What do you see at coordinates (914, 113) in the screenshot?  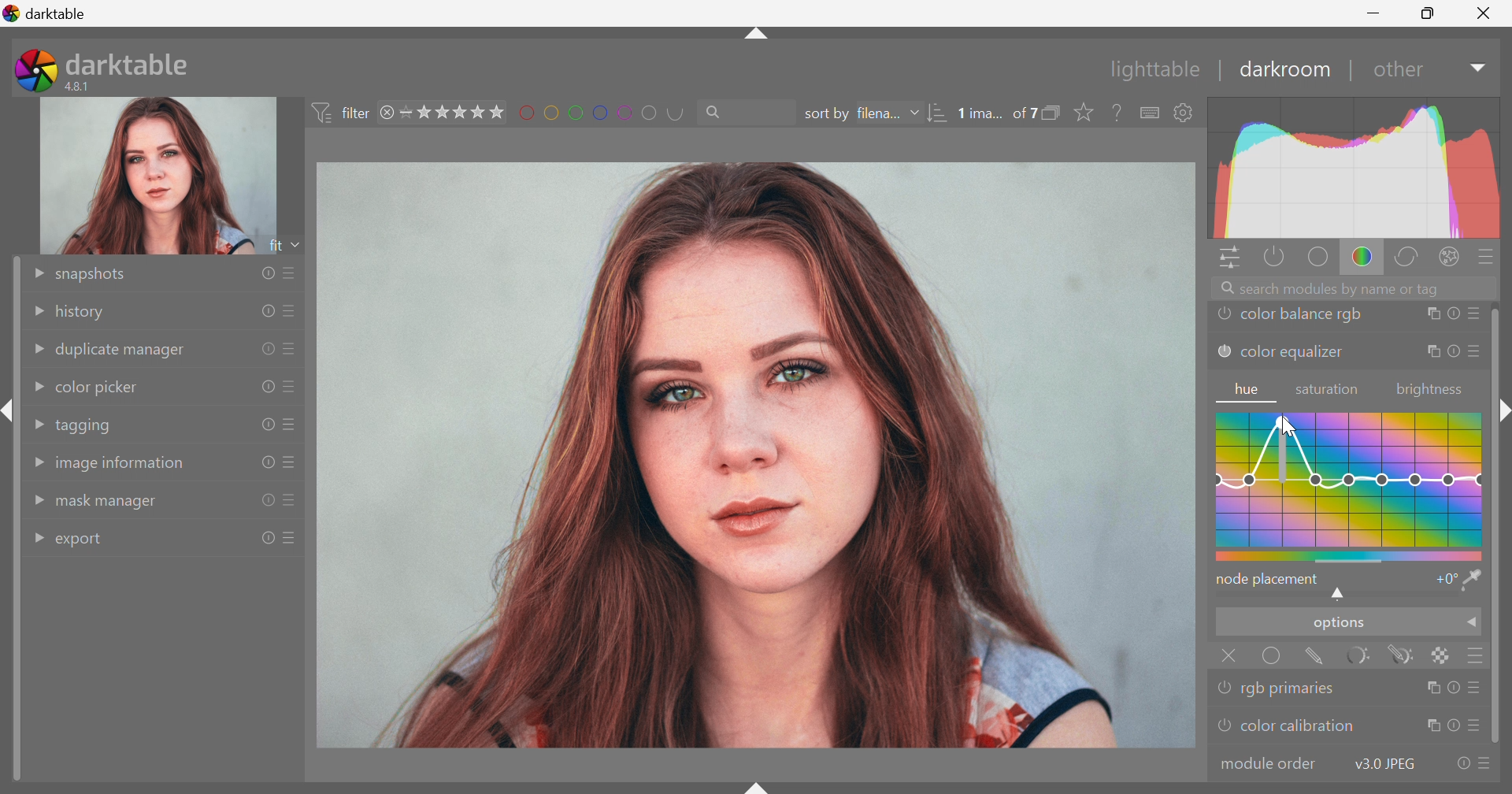 I see `Drop Down` at bounding box center [914, 113].